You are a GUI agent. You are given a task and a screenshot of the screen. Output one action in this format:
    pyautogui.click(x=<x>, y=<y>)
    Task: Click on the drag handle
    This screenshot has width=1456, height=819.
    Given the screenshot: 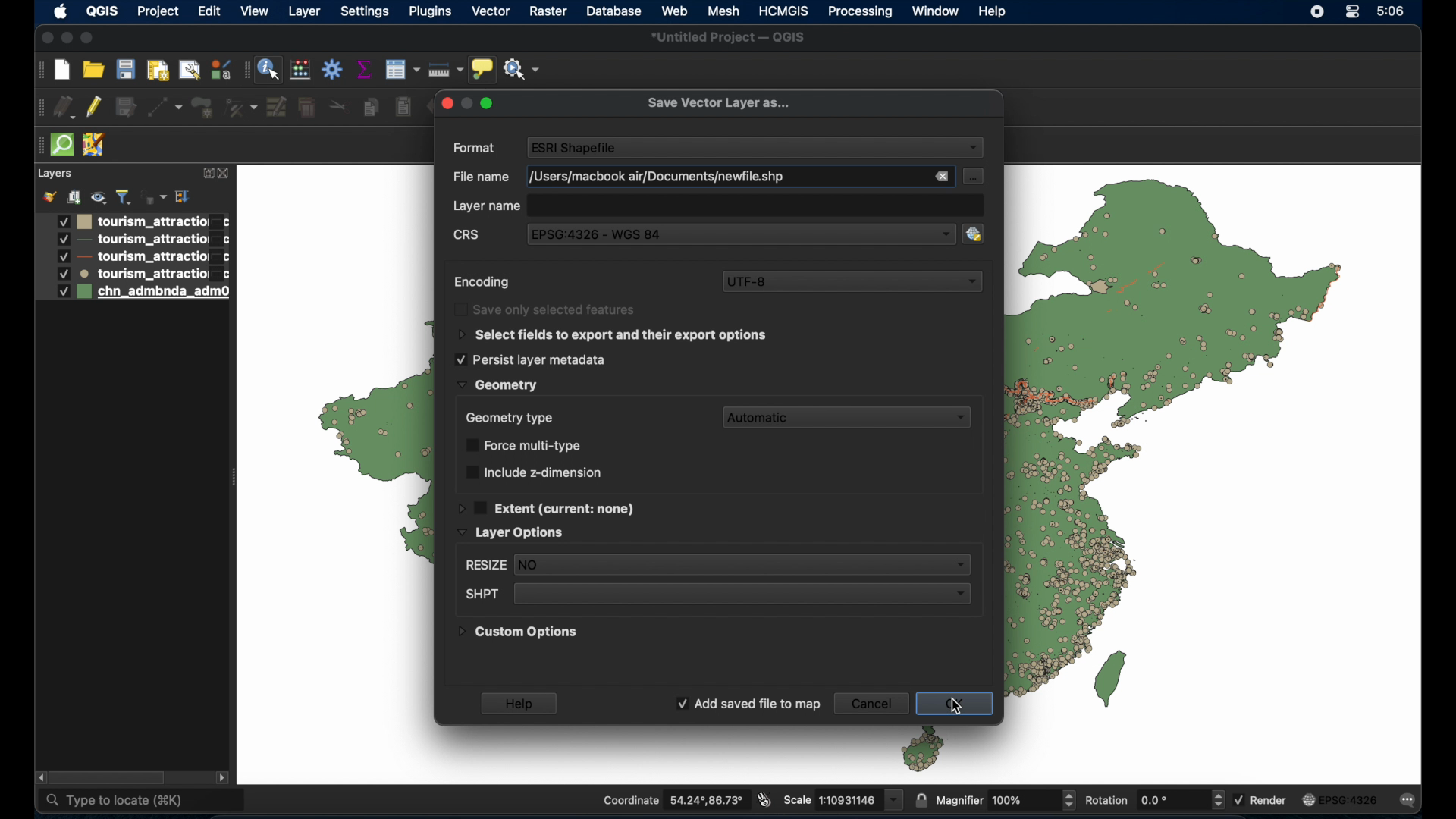 What is the action you would take?
    pyautogui.click(x=38, y=108)
    